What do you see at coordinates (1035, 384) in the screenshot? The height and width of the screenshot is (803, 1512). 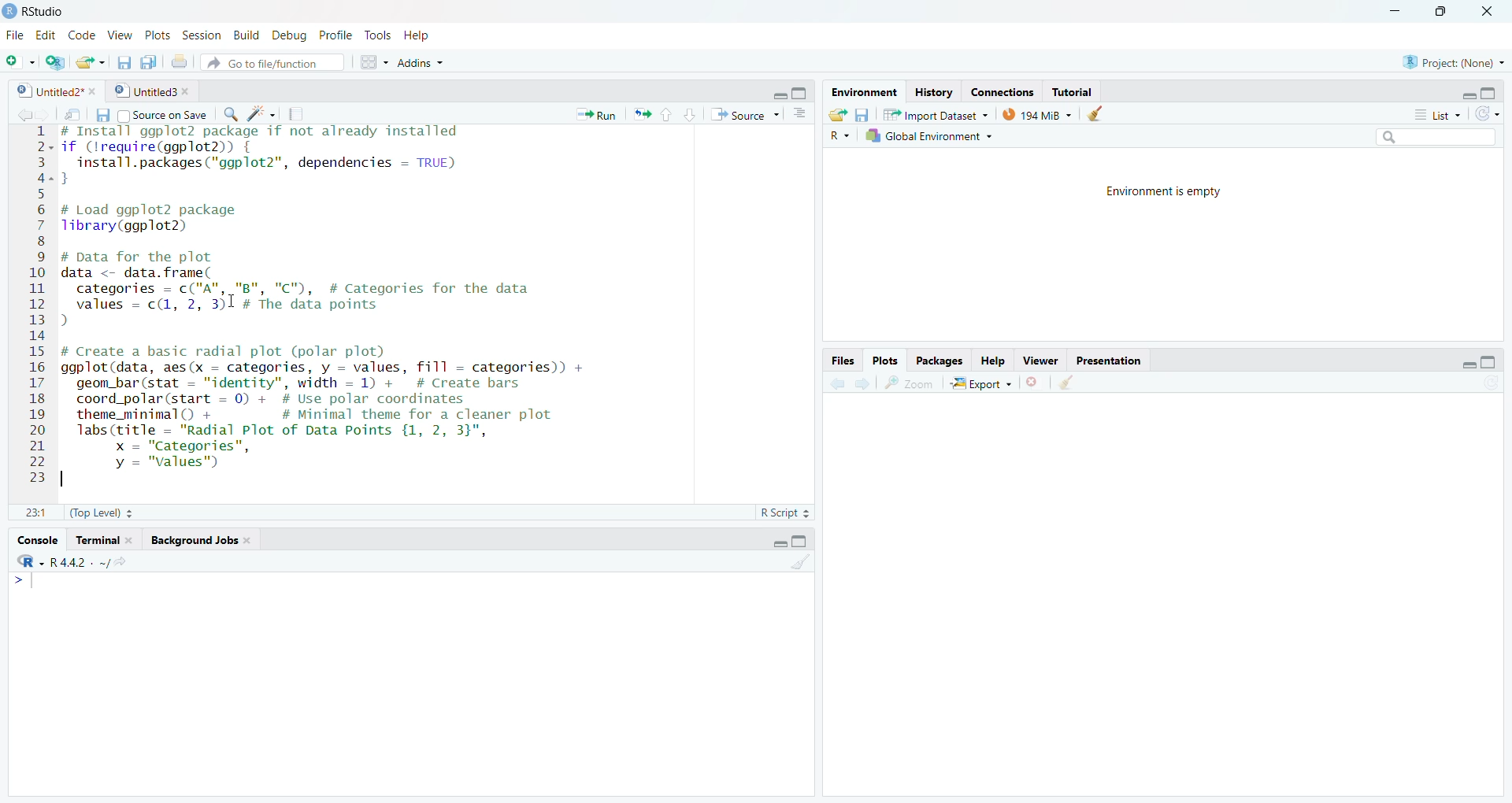 I see `close` at bounding box center [1035, 384].